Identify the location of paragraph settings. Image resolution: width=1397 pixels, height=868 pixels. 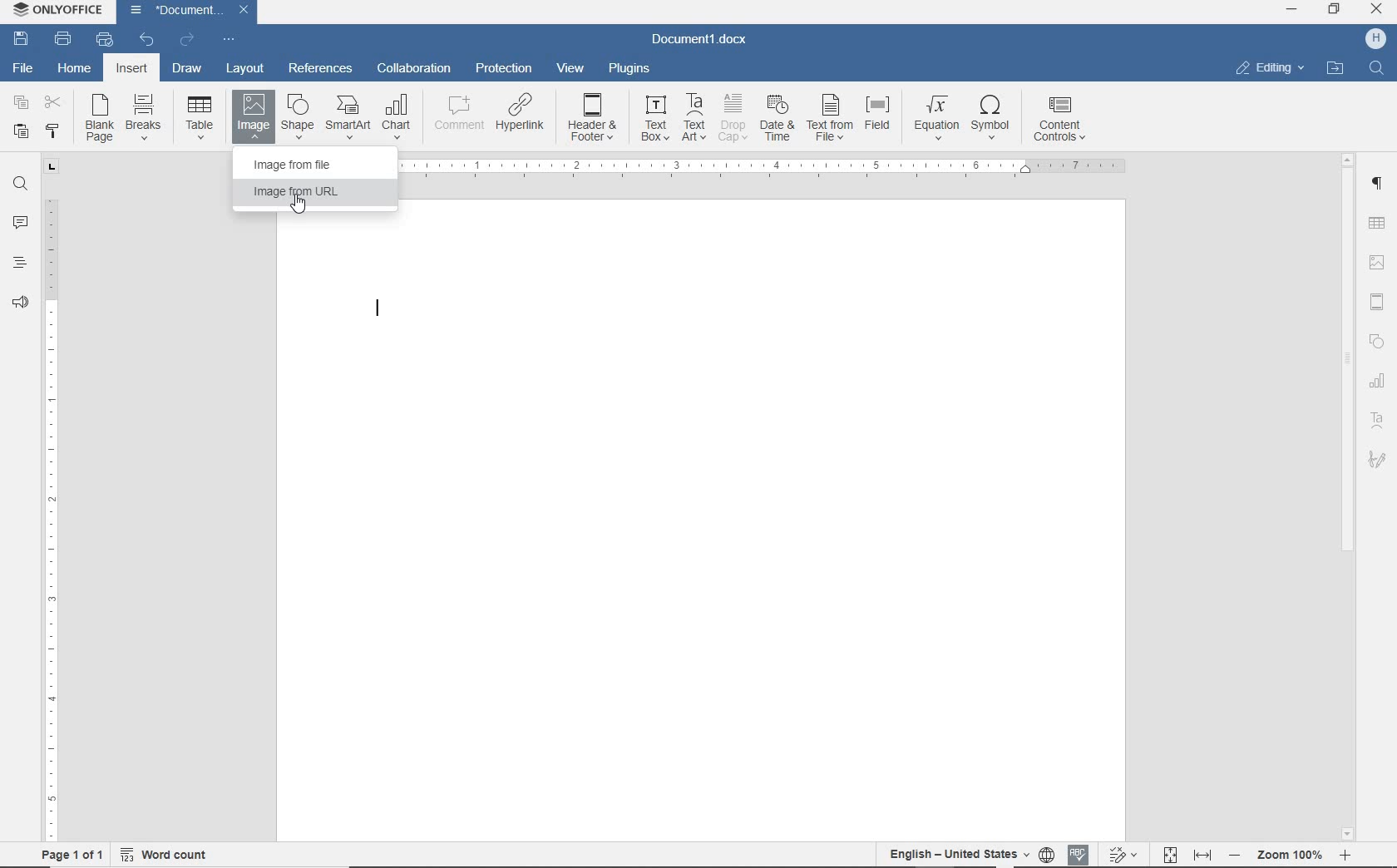
(1380, 185).